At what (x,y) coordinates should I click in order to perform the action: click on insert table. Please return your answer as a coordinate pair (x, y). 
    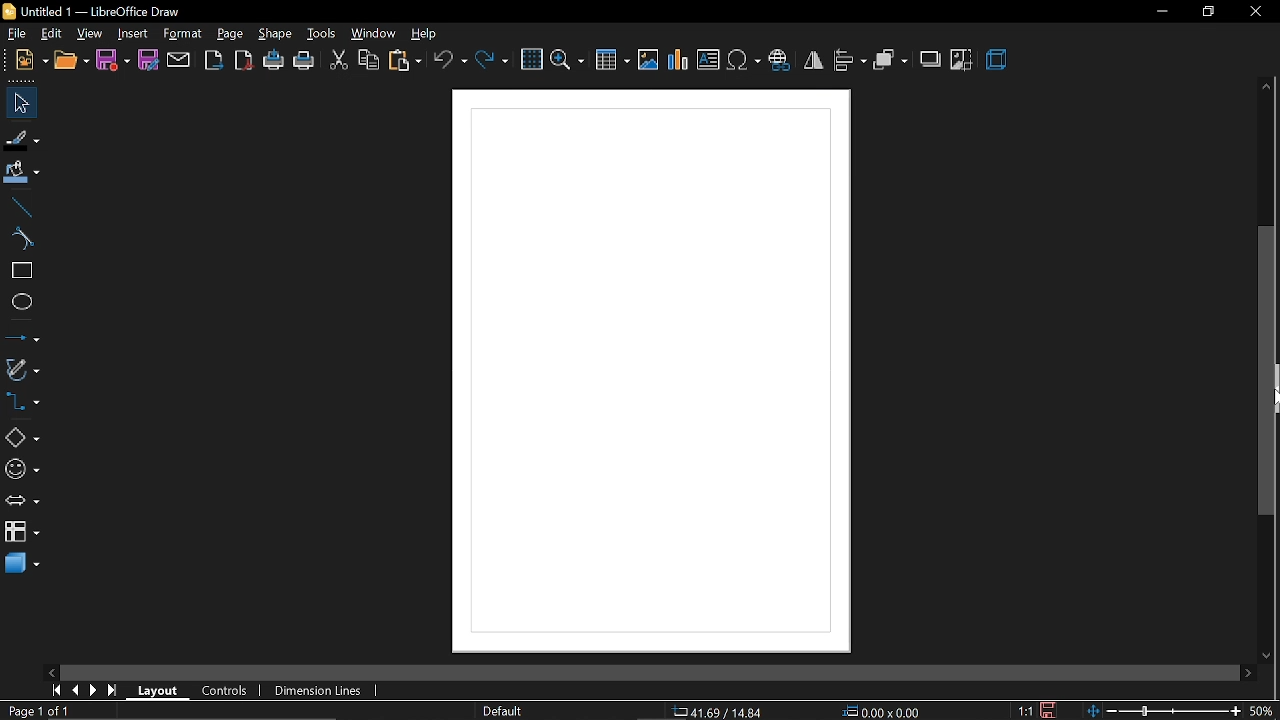
    Looking at the image, I should click on (611, 62).